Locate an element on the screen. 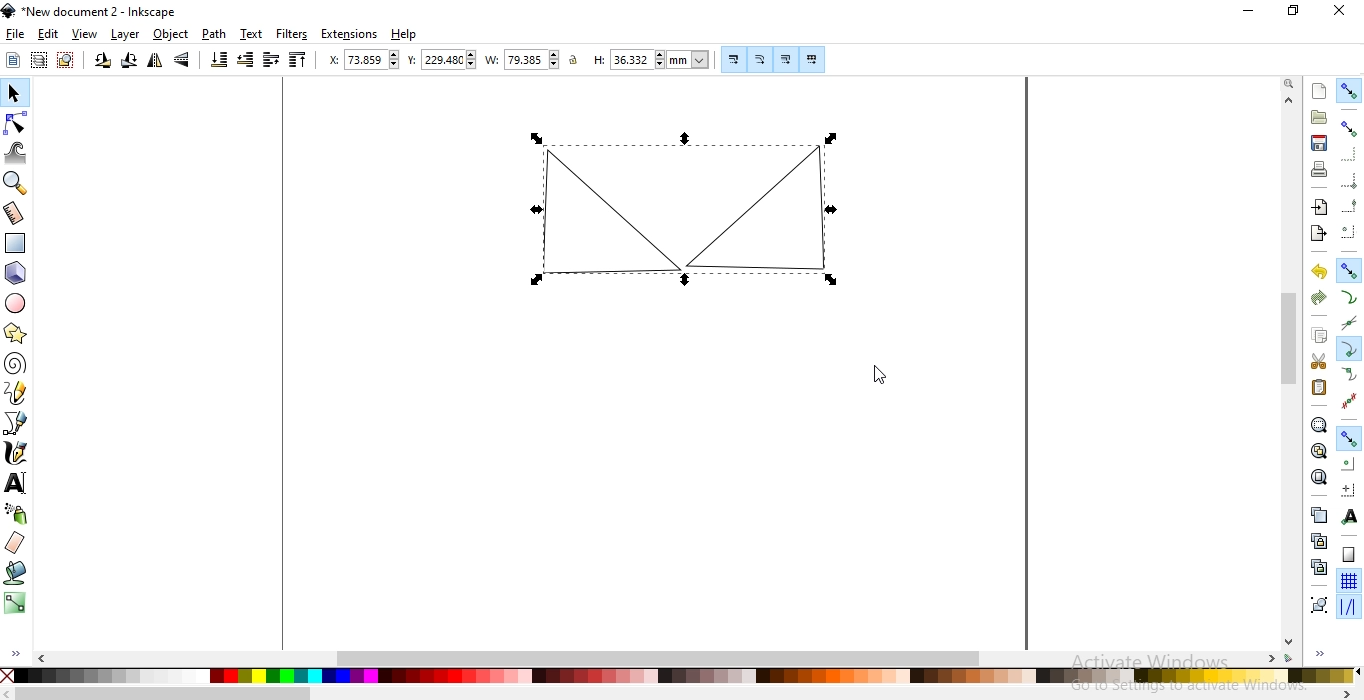 The image size is (1364, 700). width of selection is located at coordinates (524, 59).